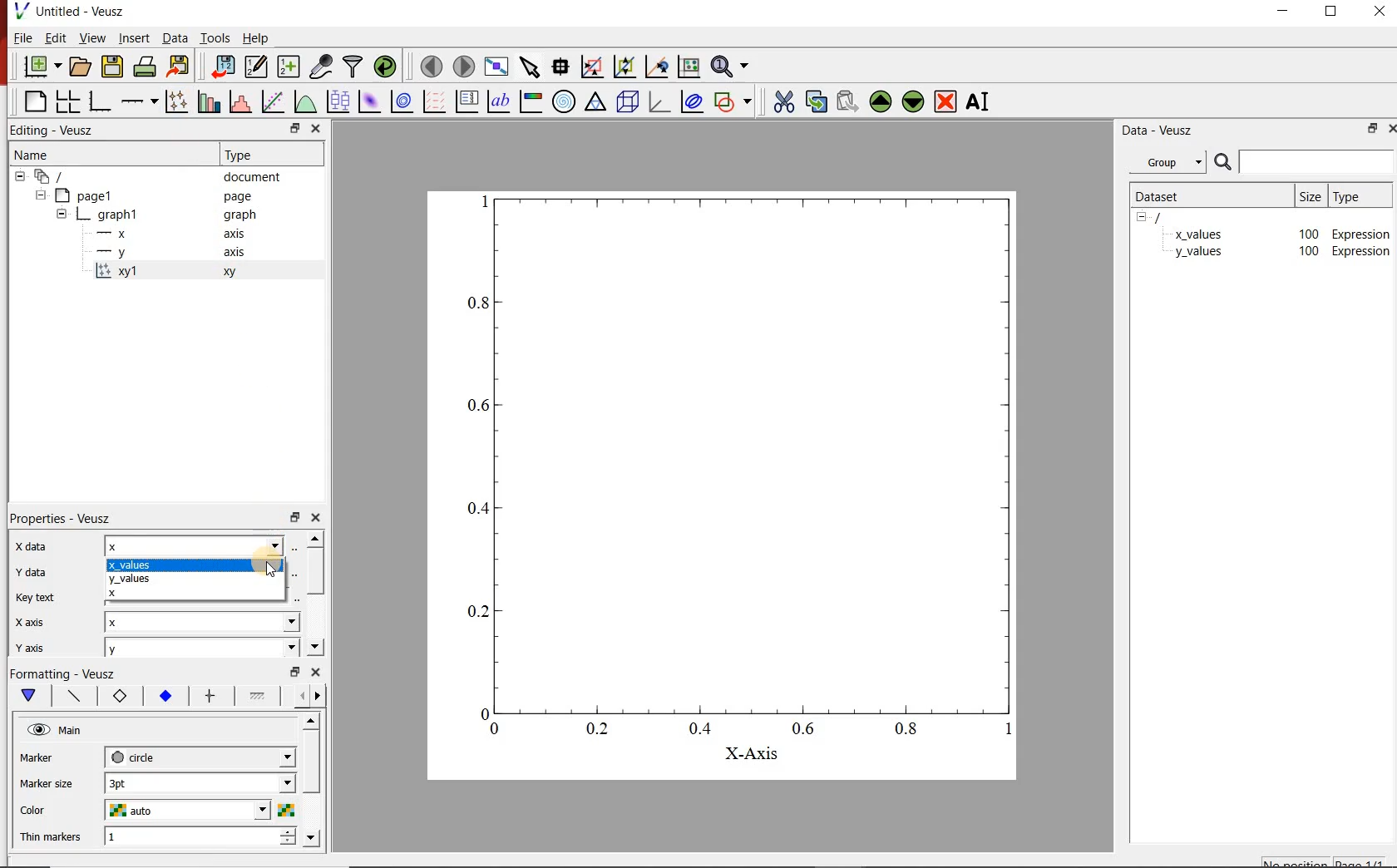 This screenshot has width=1397, height=868. Describe the element at coordinates (185, 809) in the screenshot. I see `auto` at that location.